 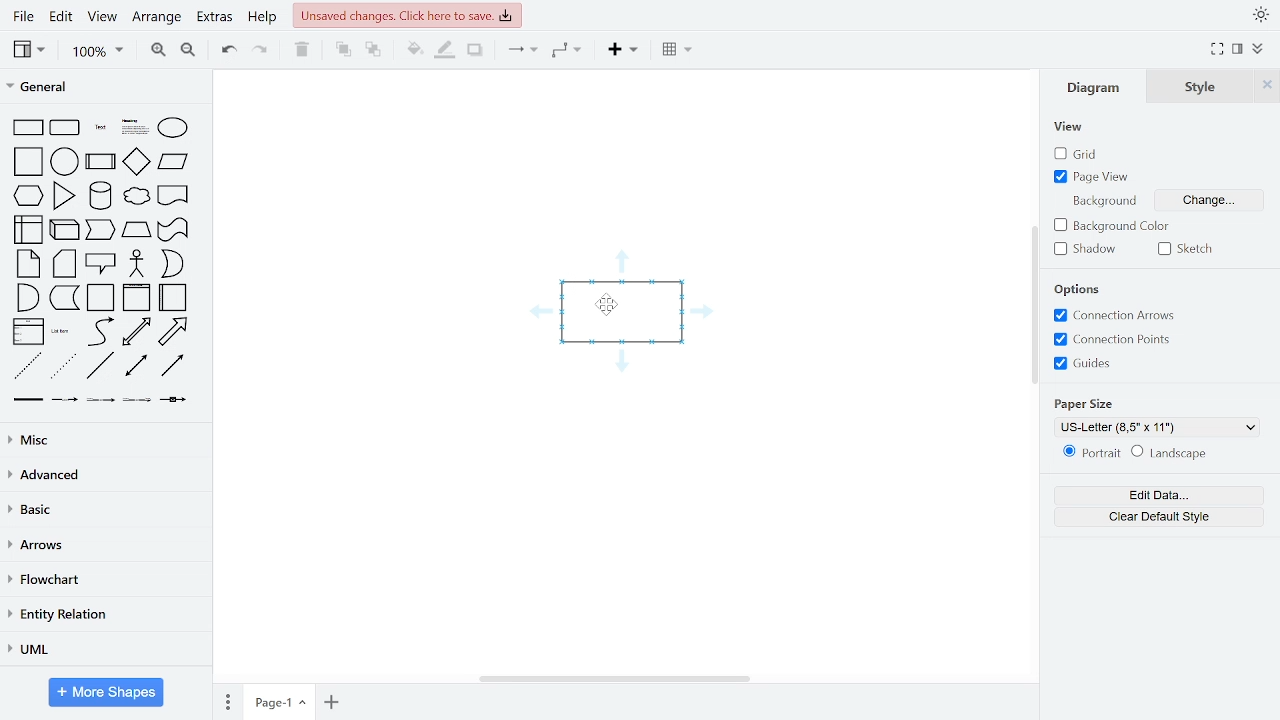 What do you see at coordinates (174, 127) in the screenshot?
I see `ellipse` at bounding box center [174, 127].